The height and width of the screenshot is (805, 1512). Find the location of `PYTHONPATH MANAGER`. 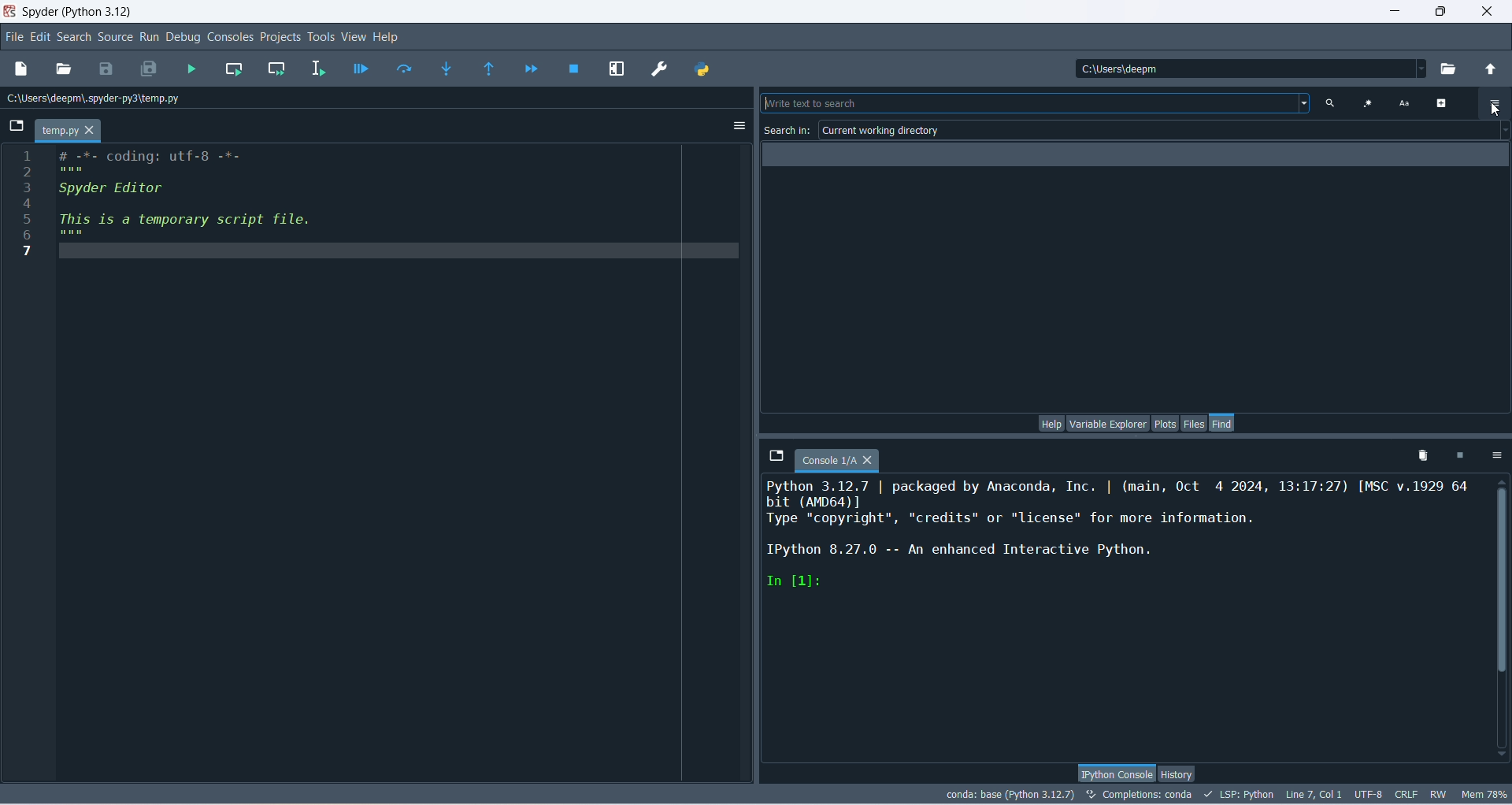

PYTHONPATH MANAGER is located at coordinates (701, 69).